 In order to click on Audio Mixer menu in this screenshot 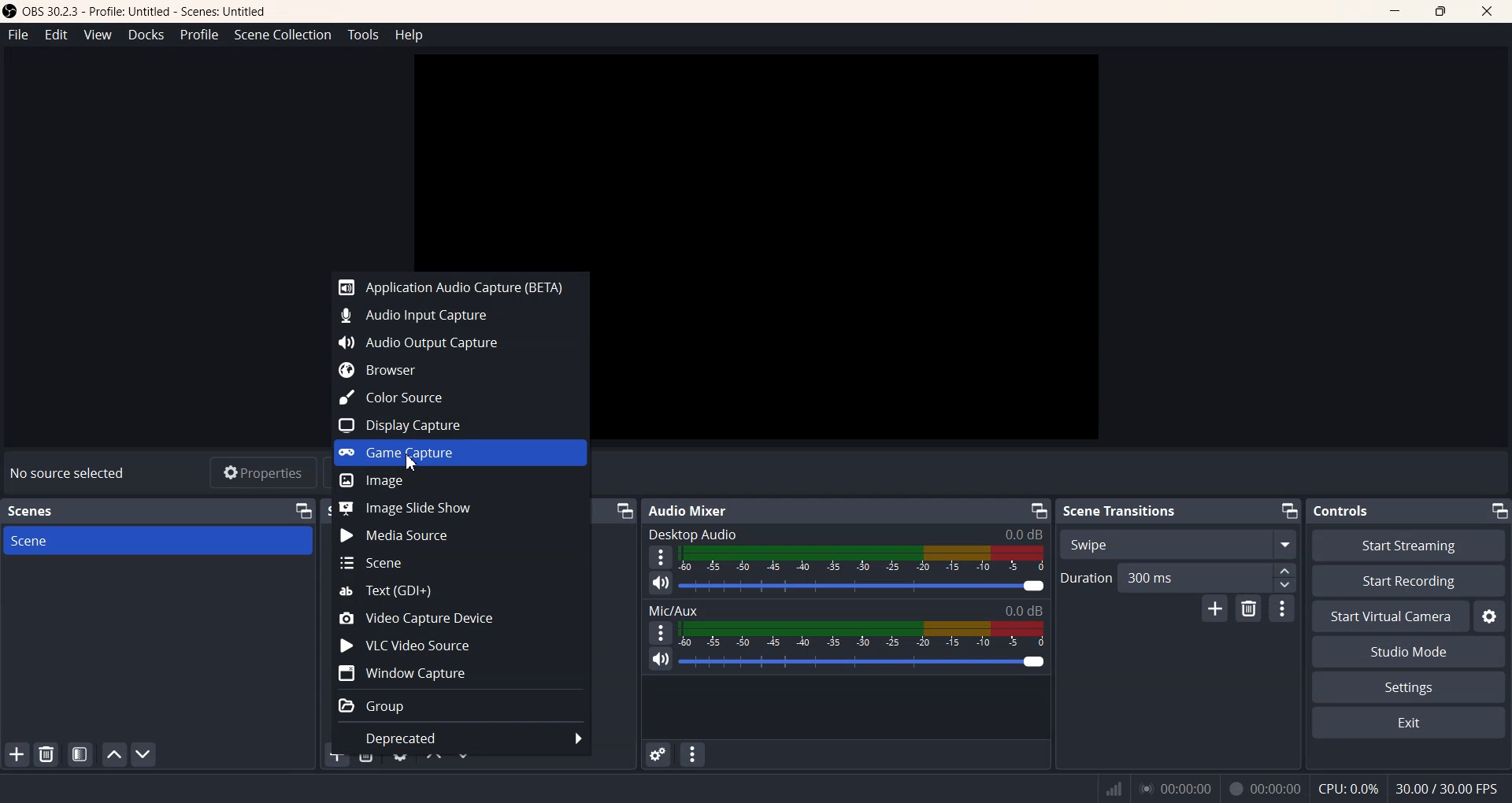, I will do `click(691, 756)`.